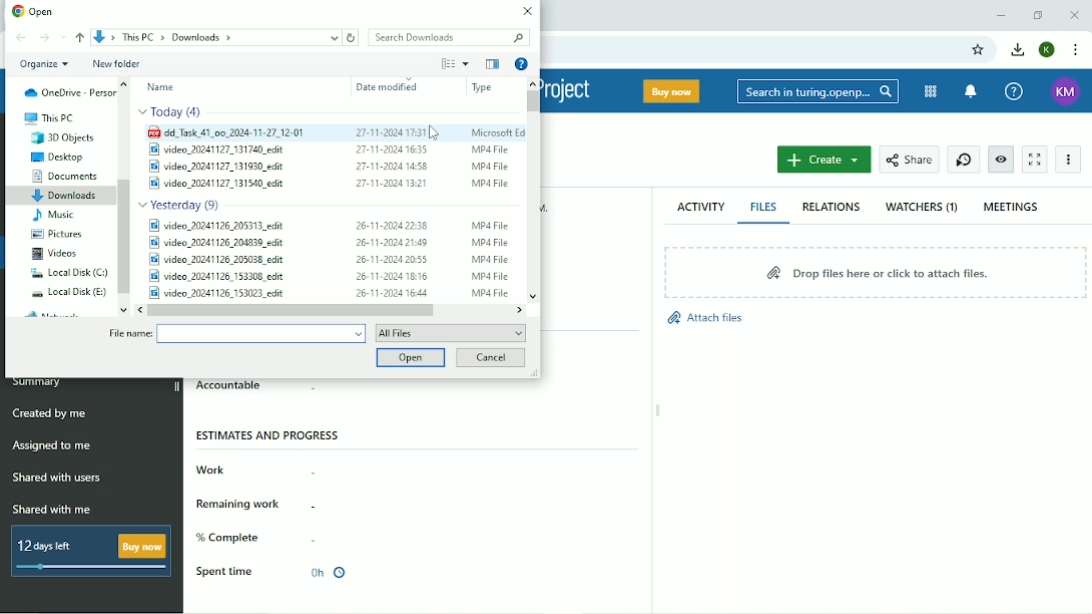  I want to click on Watchers 1, so click(922, 208).